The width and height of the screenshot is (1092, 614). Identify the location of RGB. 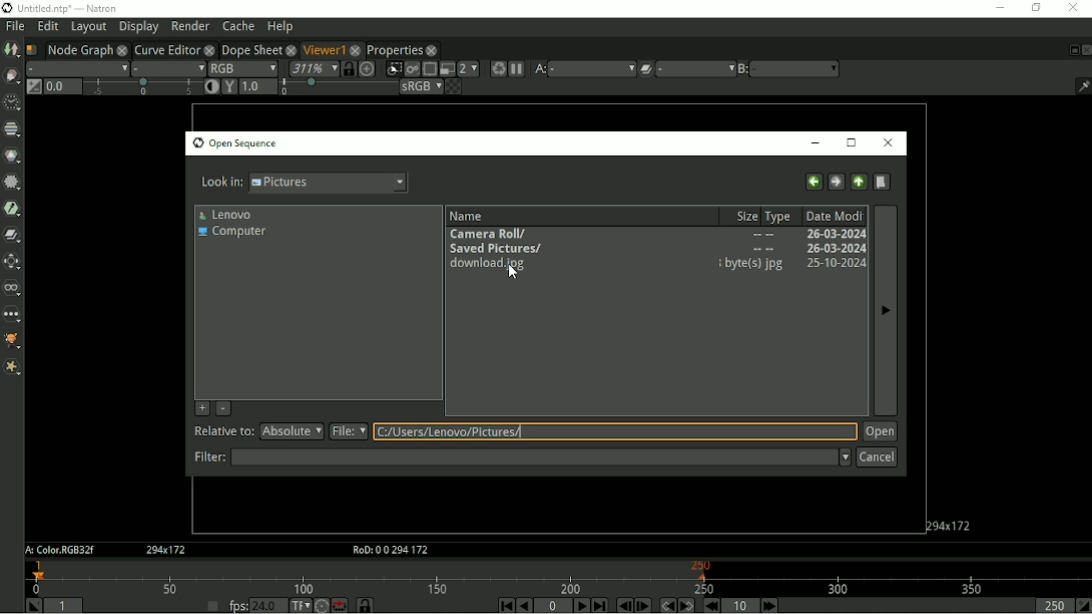
(243, 67).